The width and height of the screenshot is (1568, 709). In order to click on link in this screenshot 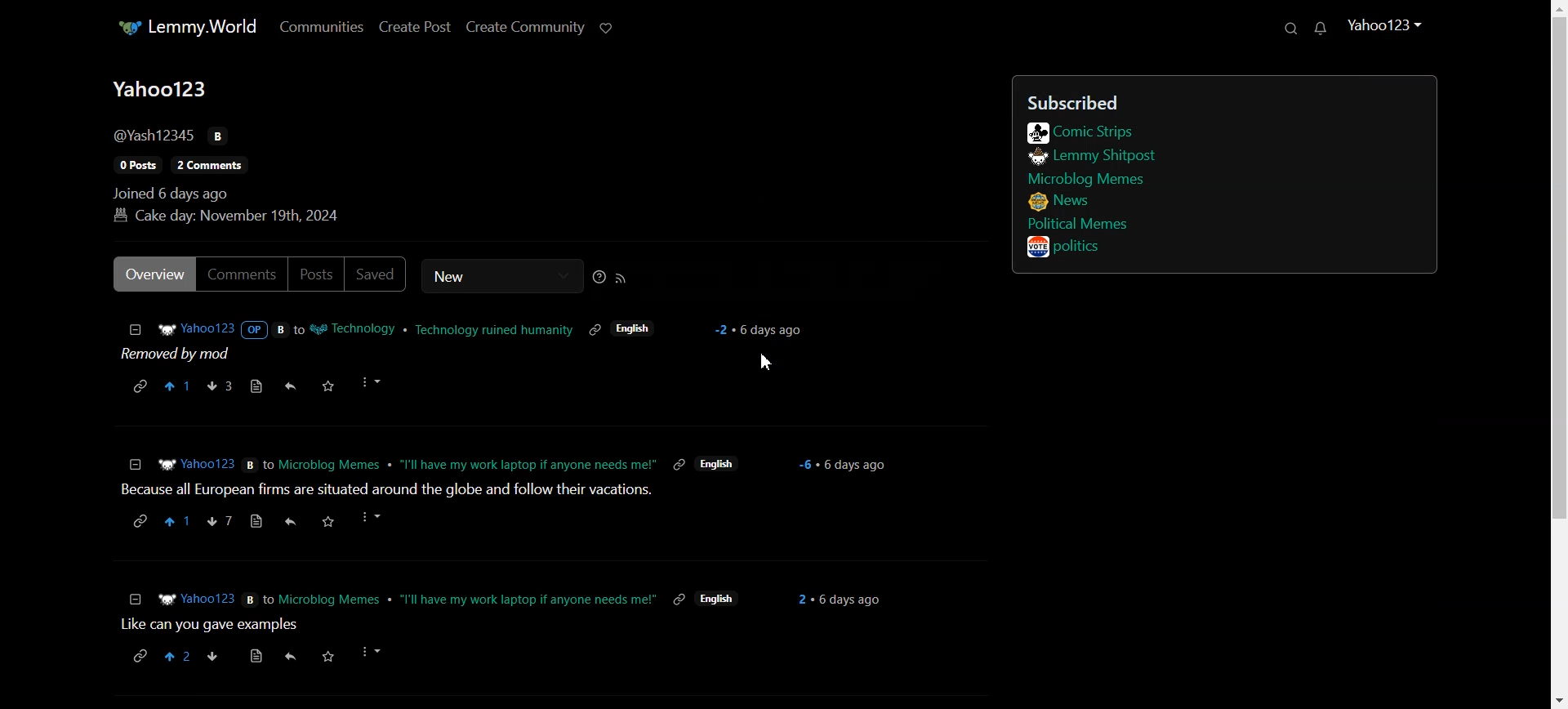, I will do `click(678, 464)`.